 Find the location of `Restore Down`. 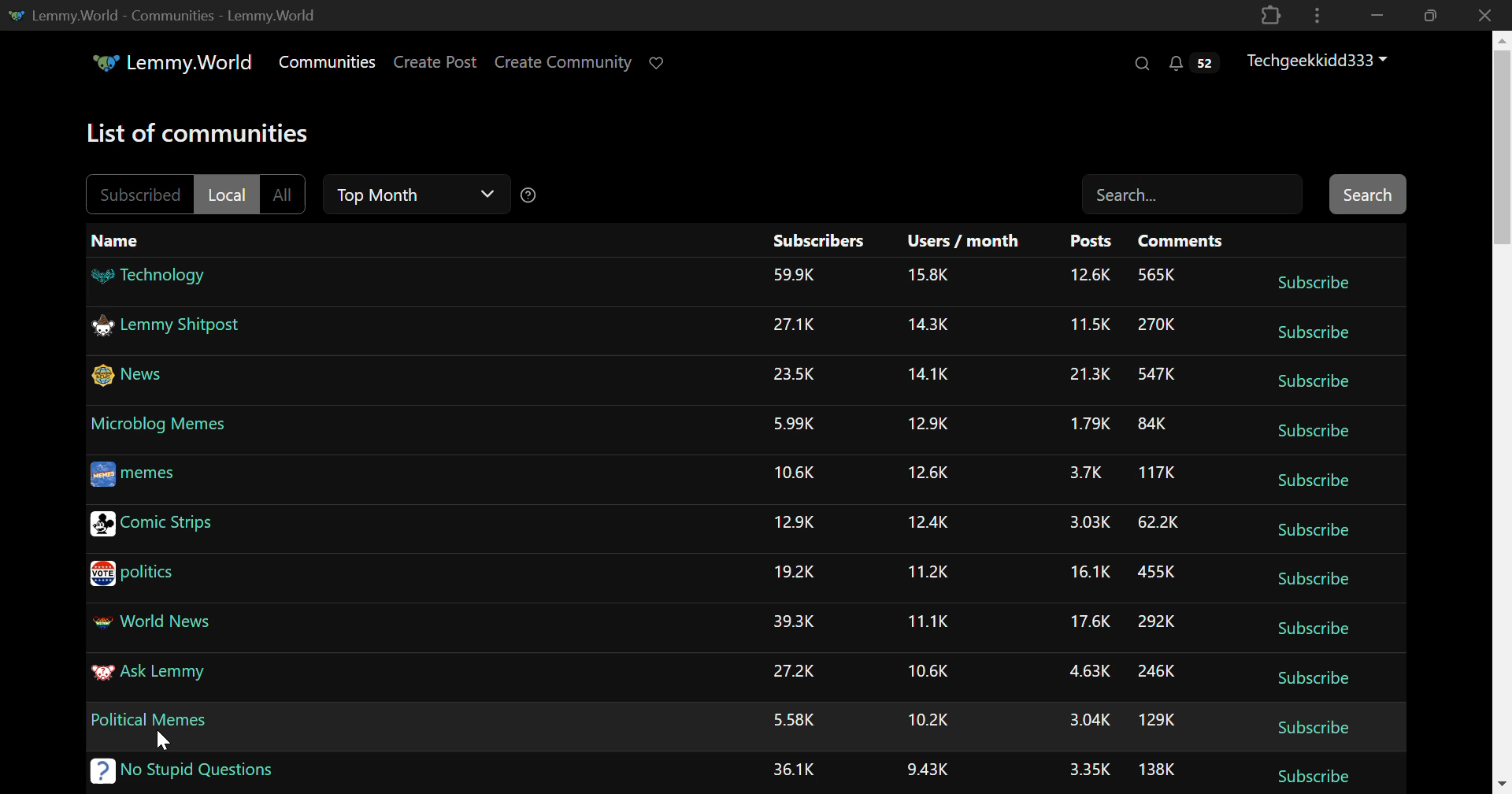

Restore Down is located at coordinates (1374, 15).